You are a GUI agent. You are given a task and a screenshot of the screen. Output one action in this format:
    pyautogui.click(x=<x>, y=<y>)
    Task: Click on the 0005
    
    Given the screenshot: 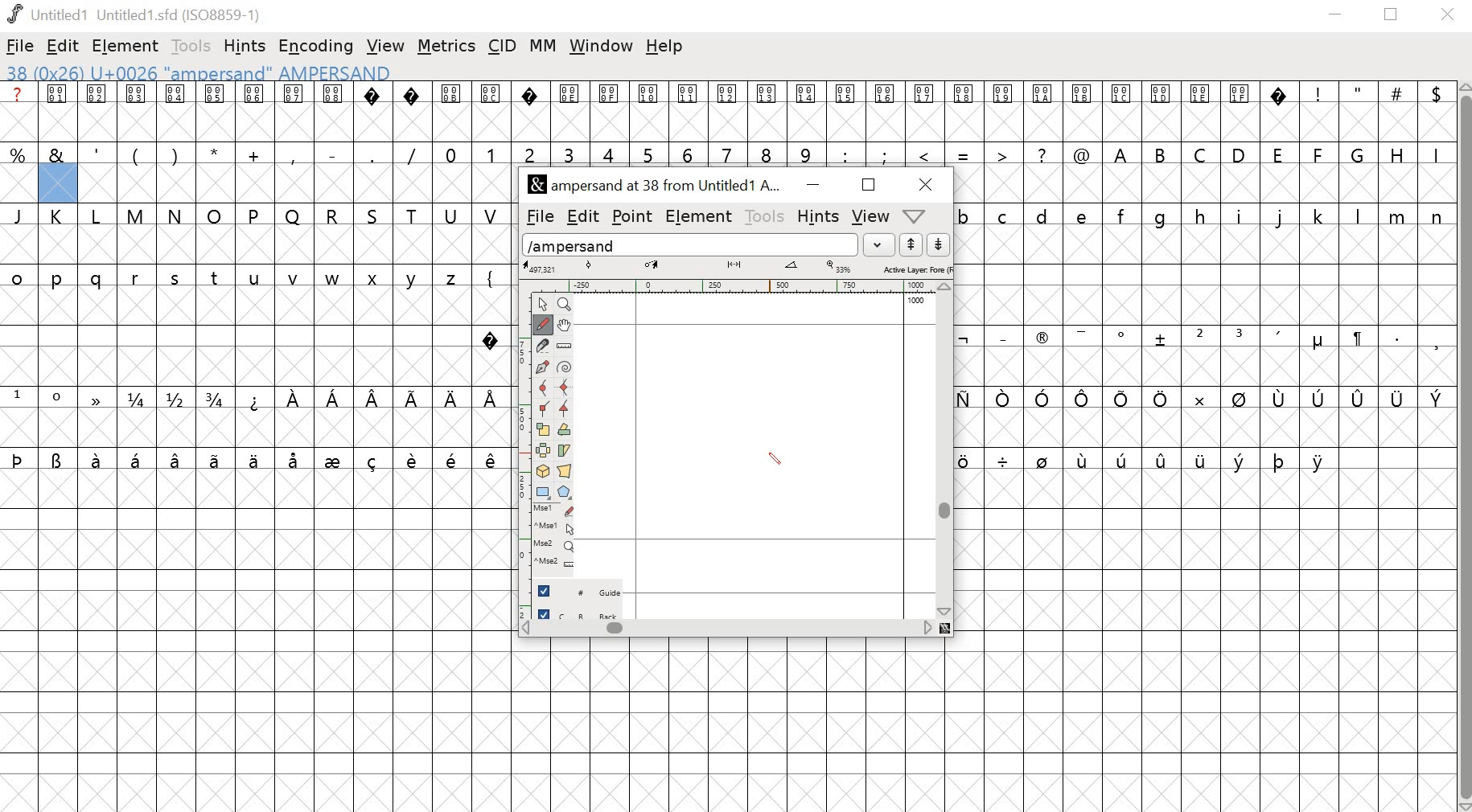 What is the action you would take?
    pyautogui.click(x=214, y=112)
    